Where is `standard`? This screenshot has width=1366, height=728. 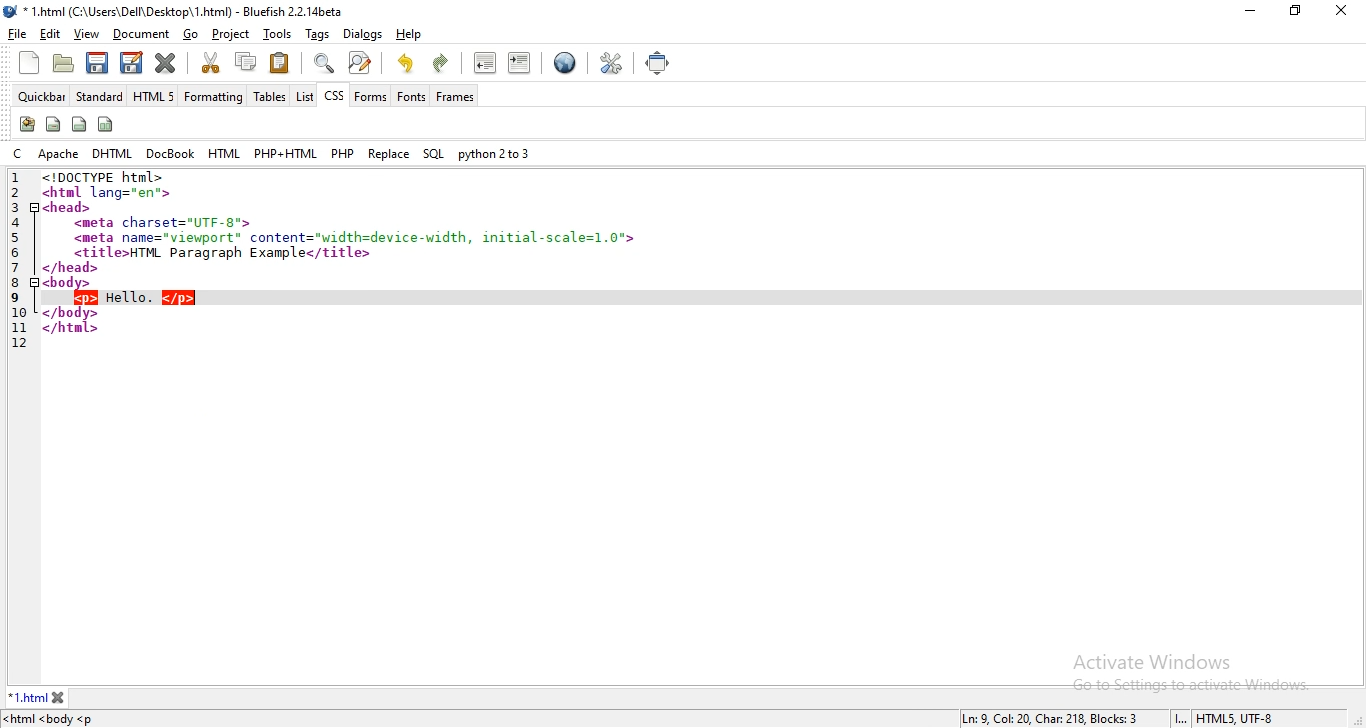
standard is located at coordinates (98, 94).